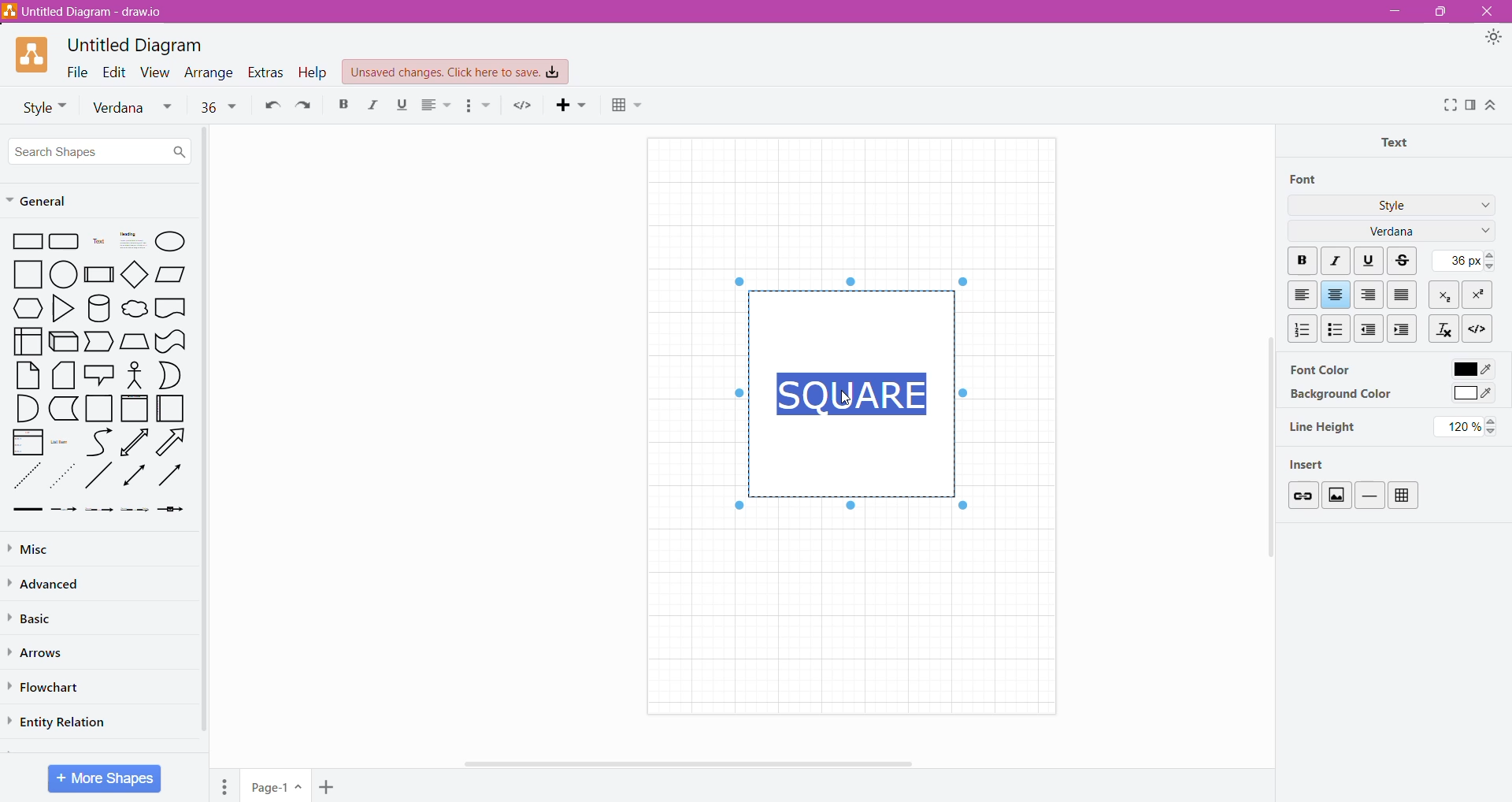 The width and height of the screenshot is (1512, 802). What do you see at coordinates (62, 375) in the screenshot?
I see `Stacked Papers ` at bounding box center [62, 375].